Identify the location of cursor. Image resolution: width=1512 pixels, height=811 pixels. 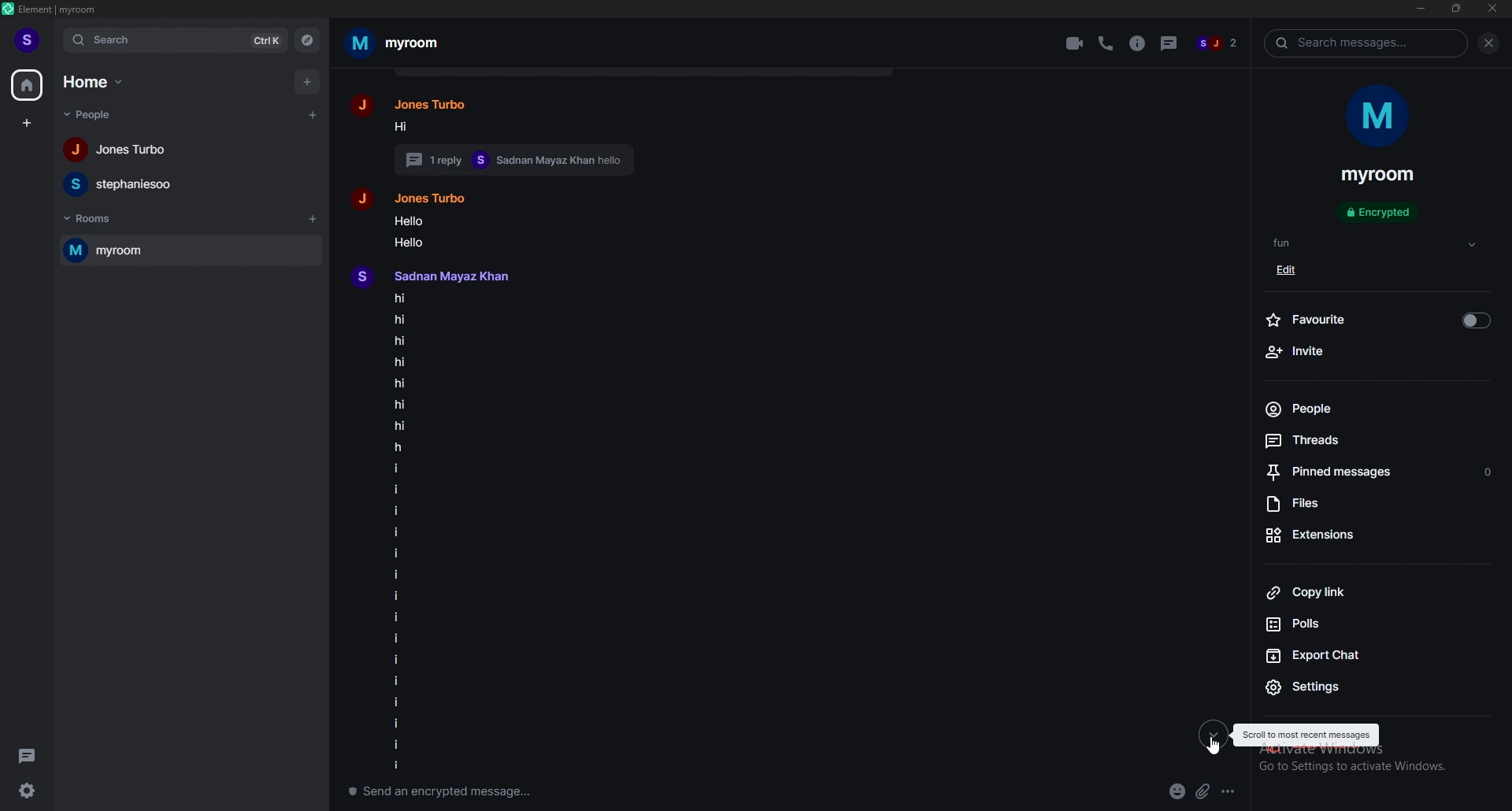
(1211, 750).